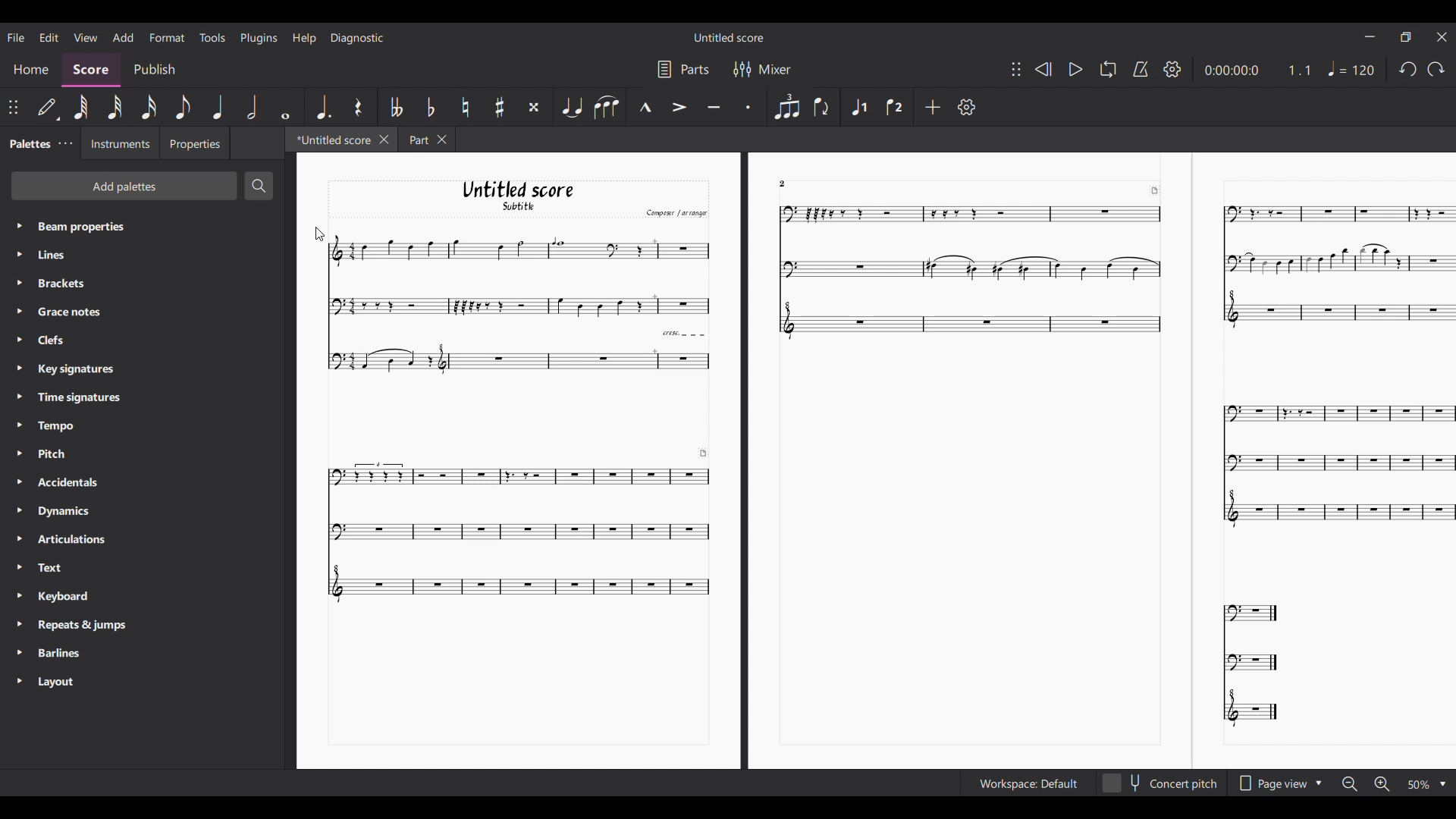  I want to click on , so click(17, 370).